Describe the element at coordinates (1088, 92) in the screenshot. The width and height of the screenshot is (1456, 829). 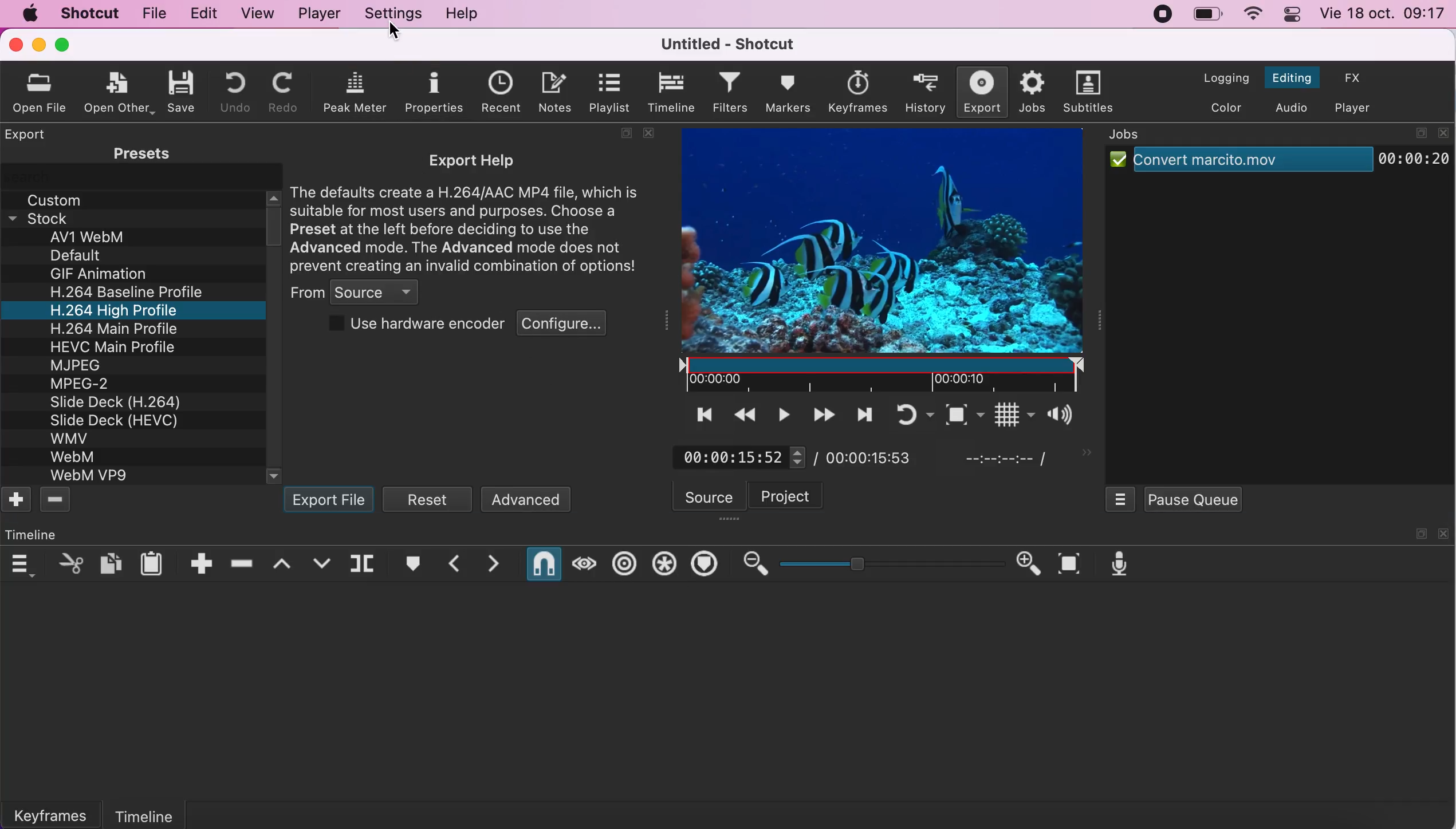
I see `subtitles` at that location.